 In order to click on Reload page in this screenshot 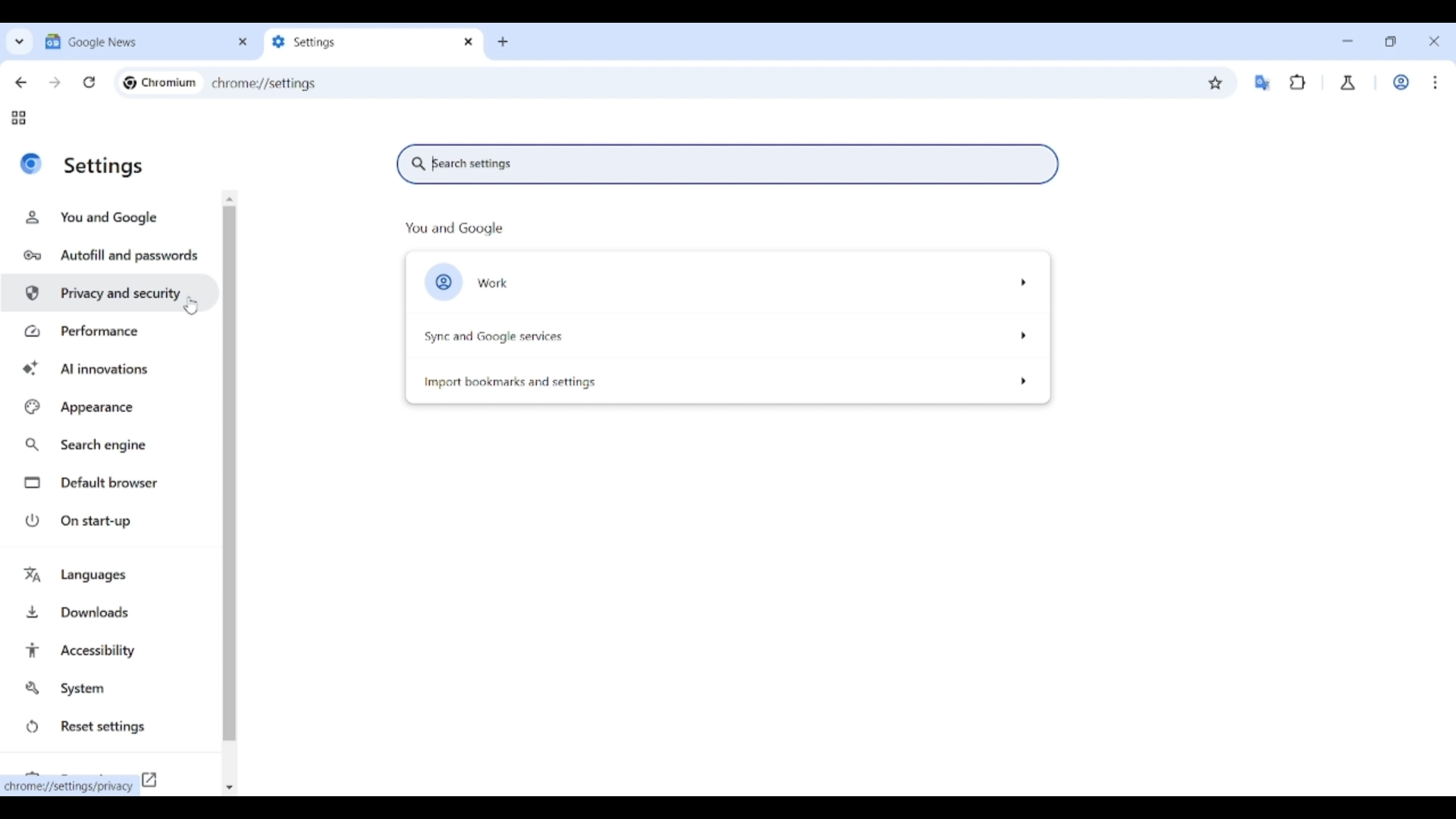, I will do `click(89, 82)`.